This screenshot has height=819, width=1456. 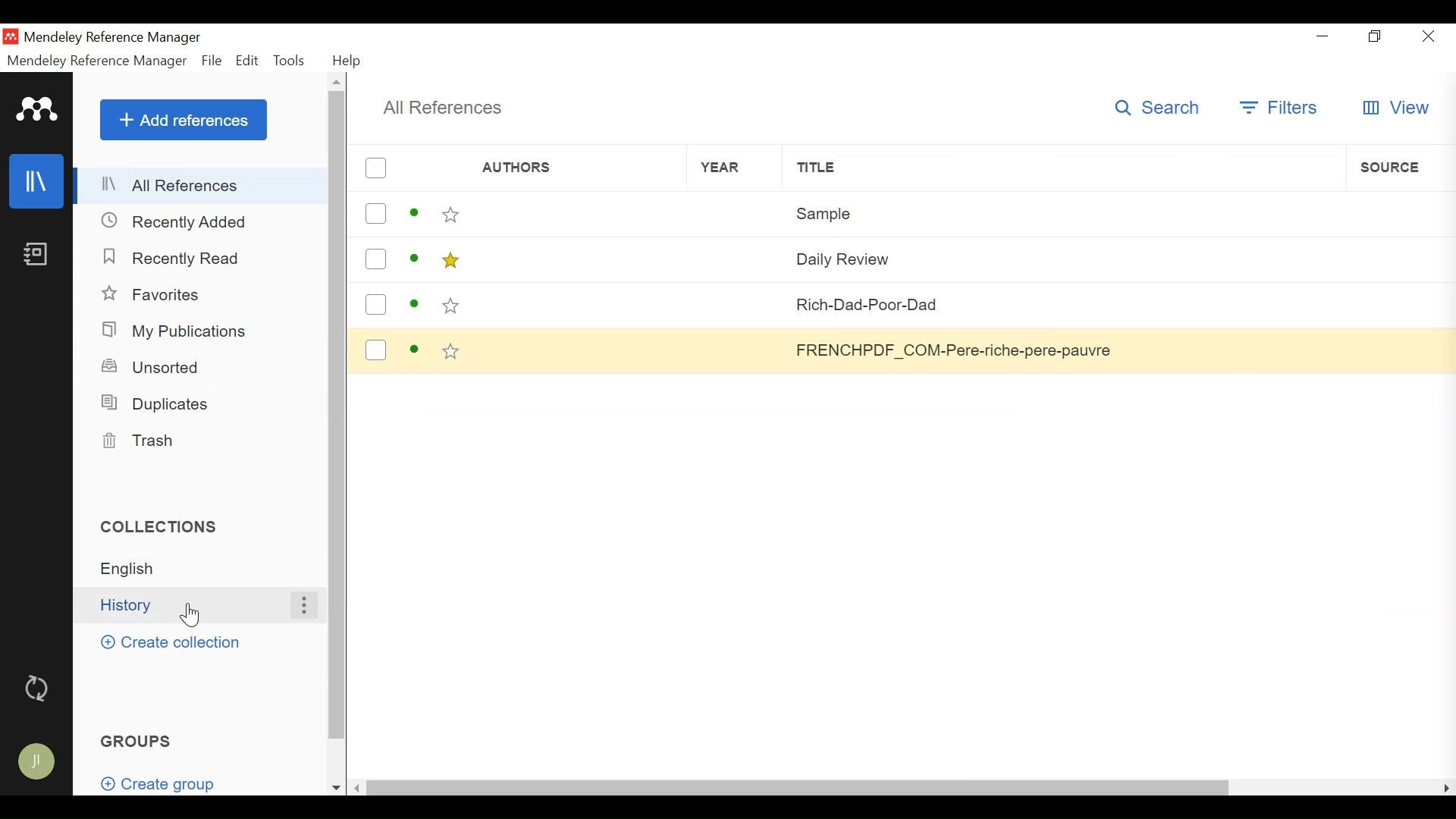 What do you see at coordinates (442, 108) in the screenshot?
I see `All References` at bounding box center [442, 108].